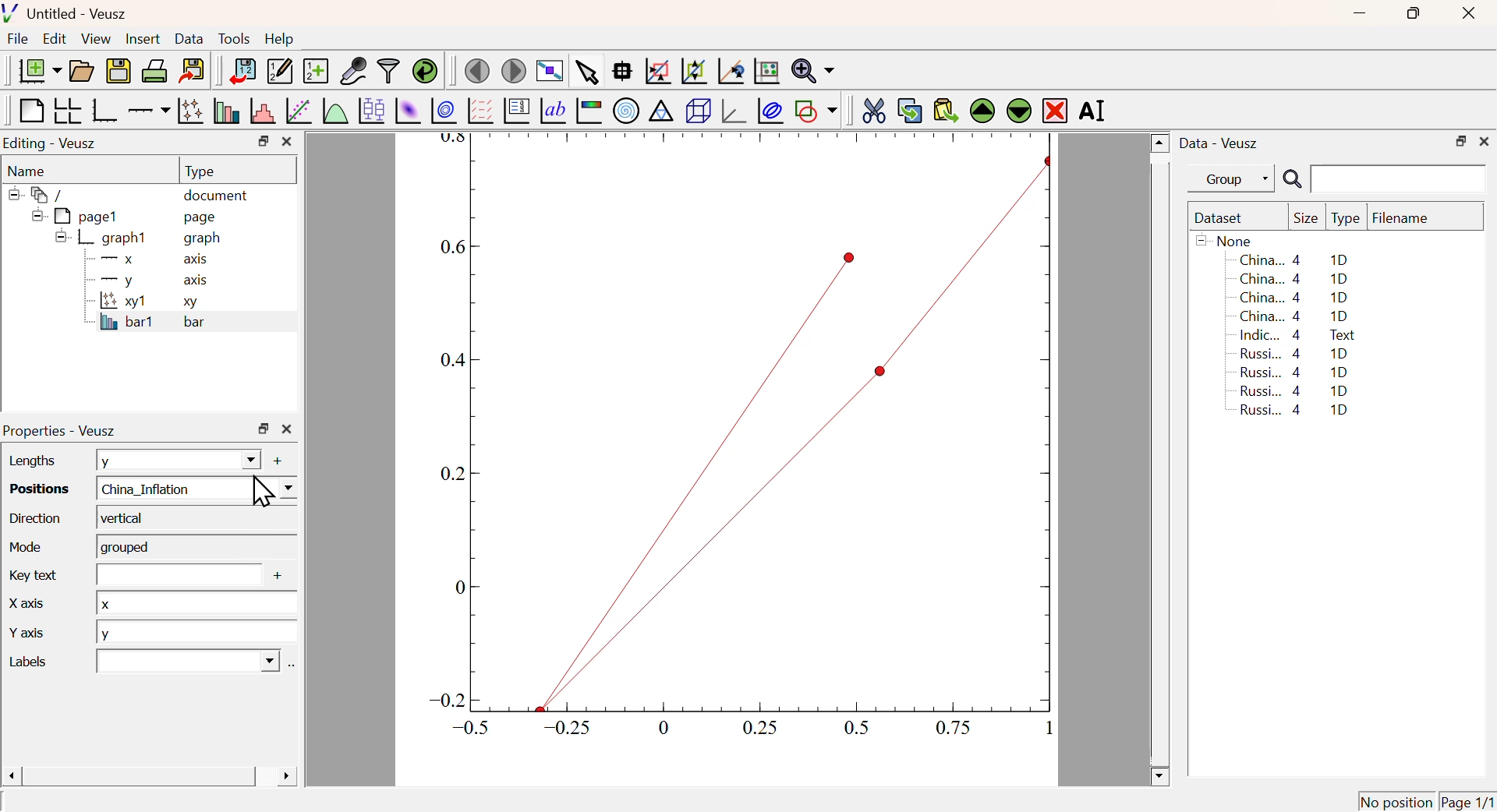 The width and height of the screenshot is (1497, 812). Describe the element at coordinates (272, 577) in the screenshot. I see `Add` at that location.